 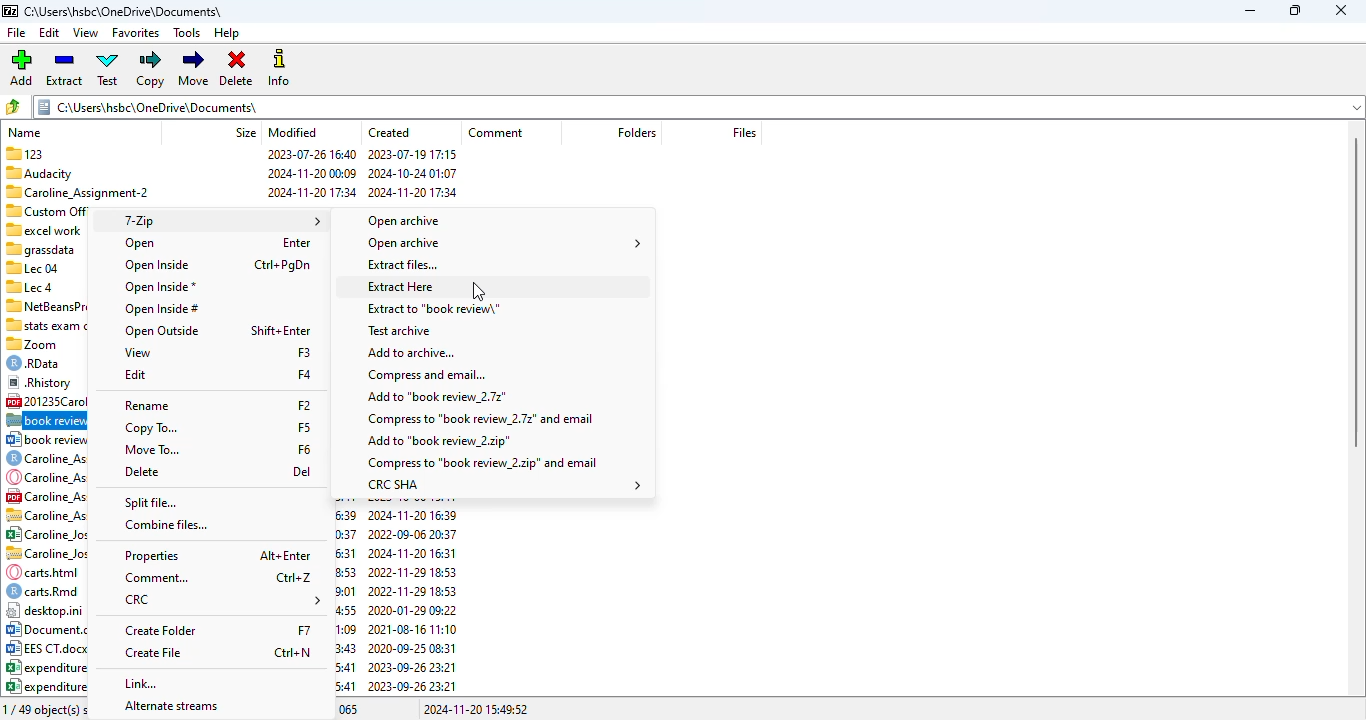 What do you see at coordinates (153, 556) in the screenshot?
I see `properties` at bounding box center [153, 556].